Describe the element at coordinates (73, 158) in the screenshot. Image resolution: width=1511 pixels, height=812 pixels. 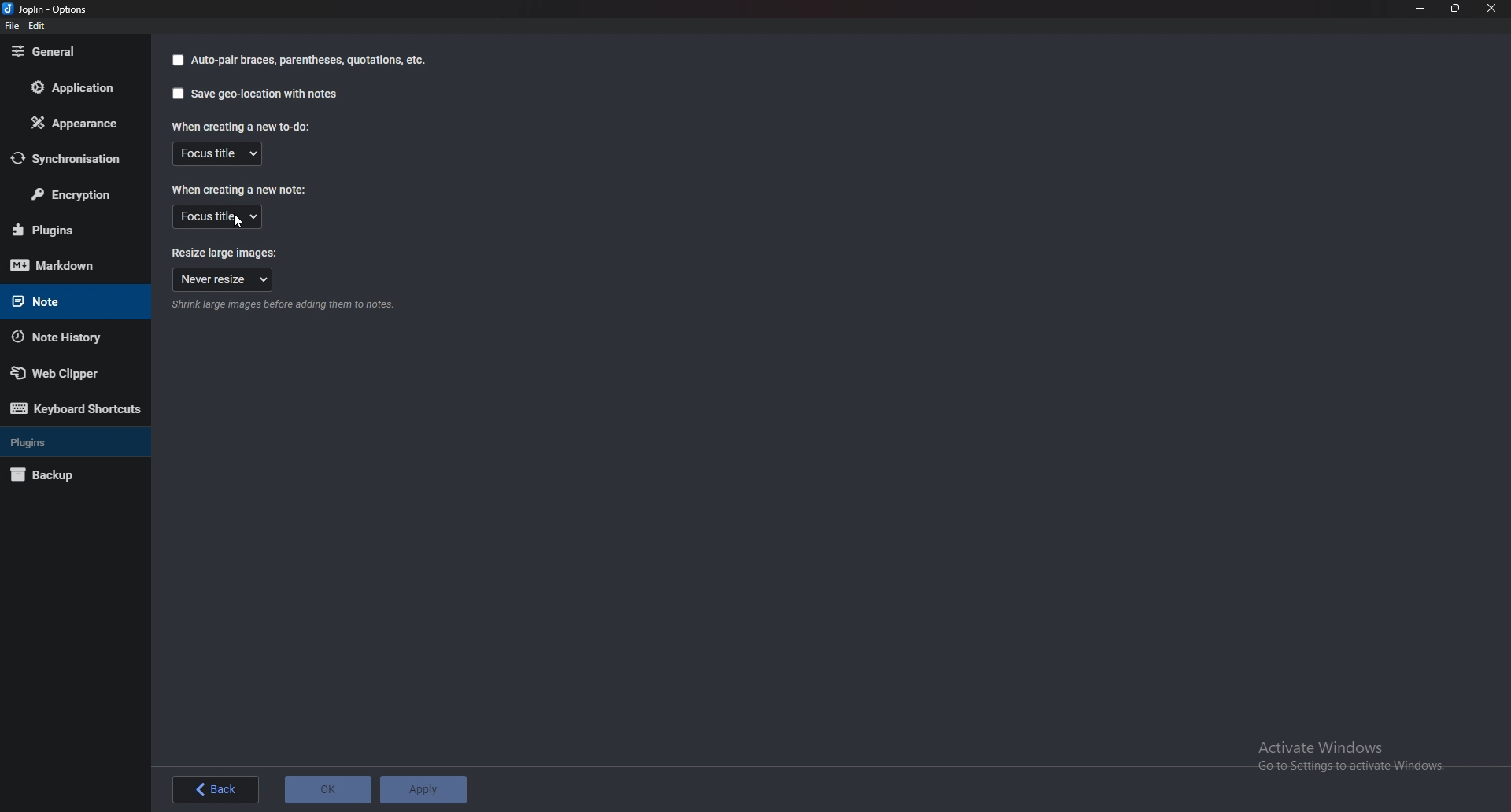
I see `Synchronization` at that location.